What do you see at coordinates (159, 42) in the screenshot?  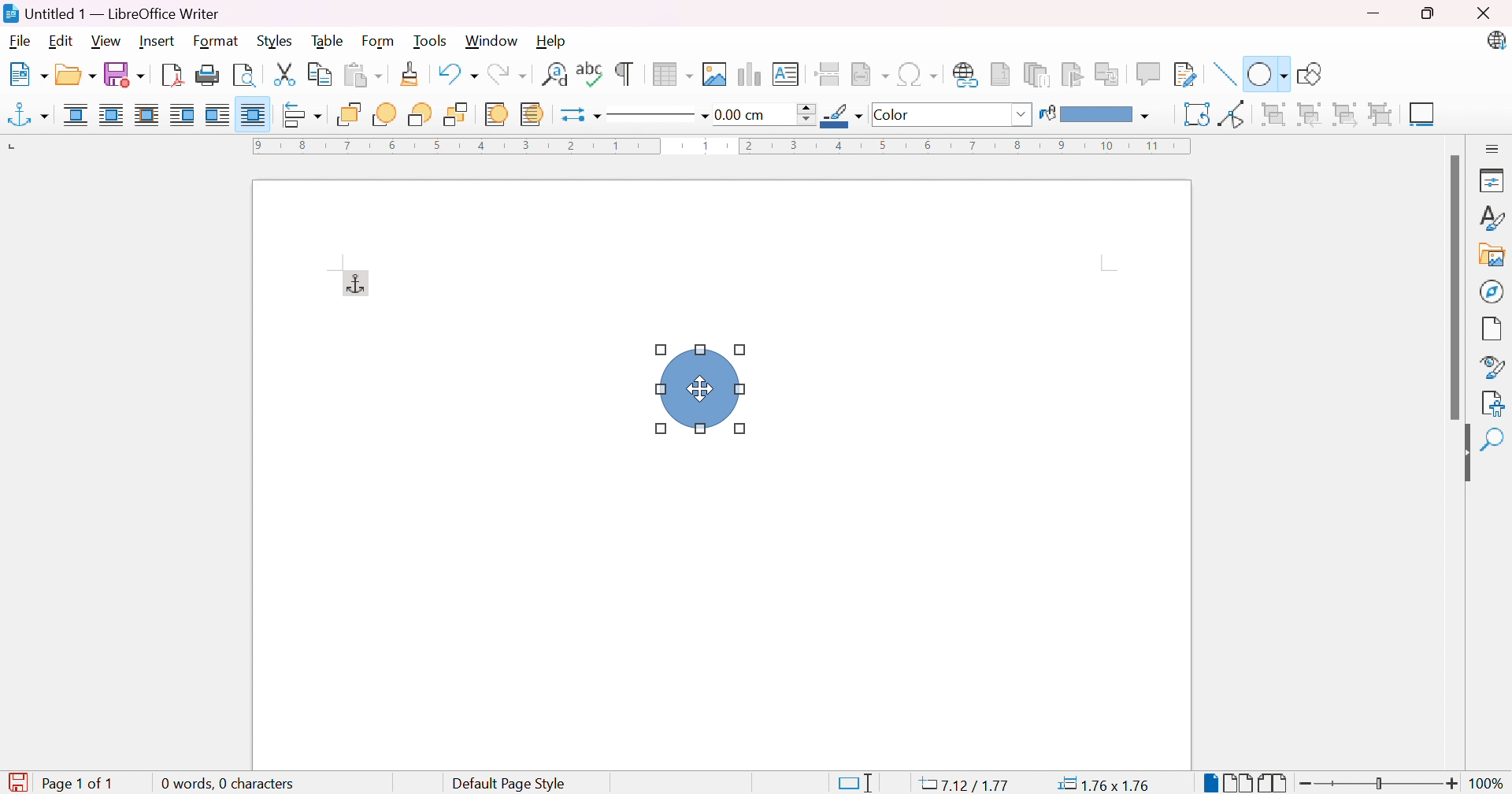 I see `Insert` at bounding box center [159, 42].